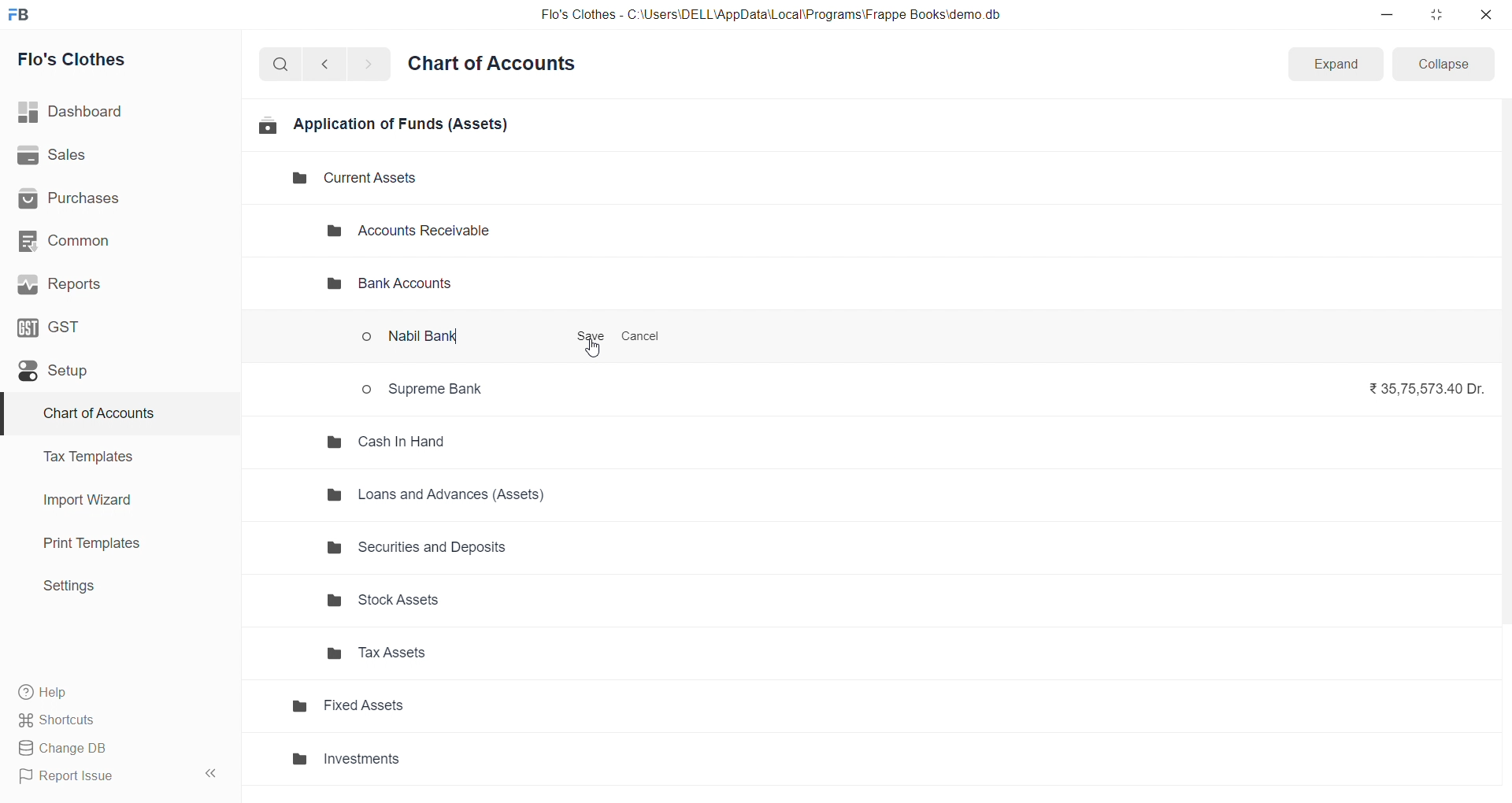 The width and height of the screenshot is (1512, 803). Describe the element at coordinates (113, 199) in the screenshot. I see `Purchases` at that location.